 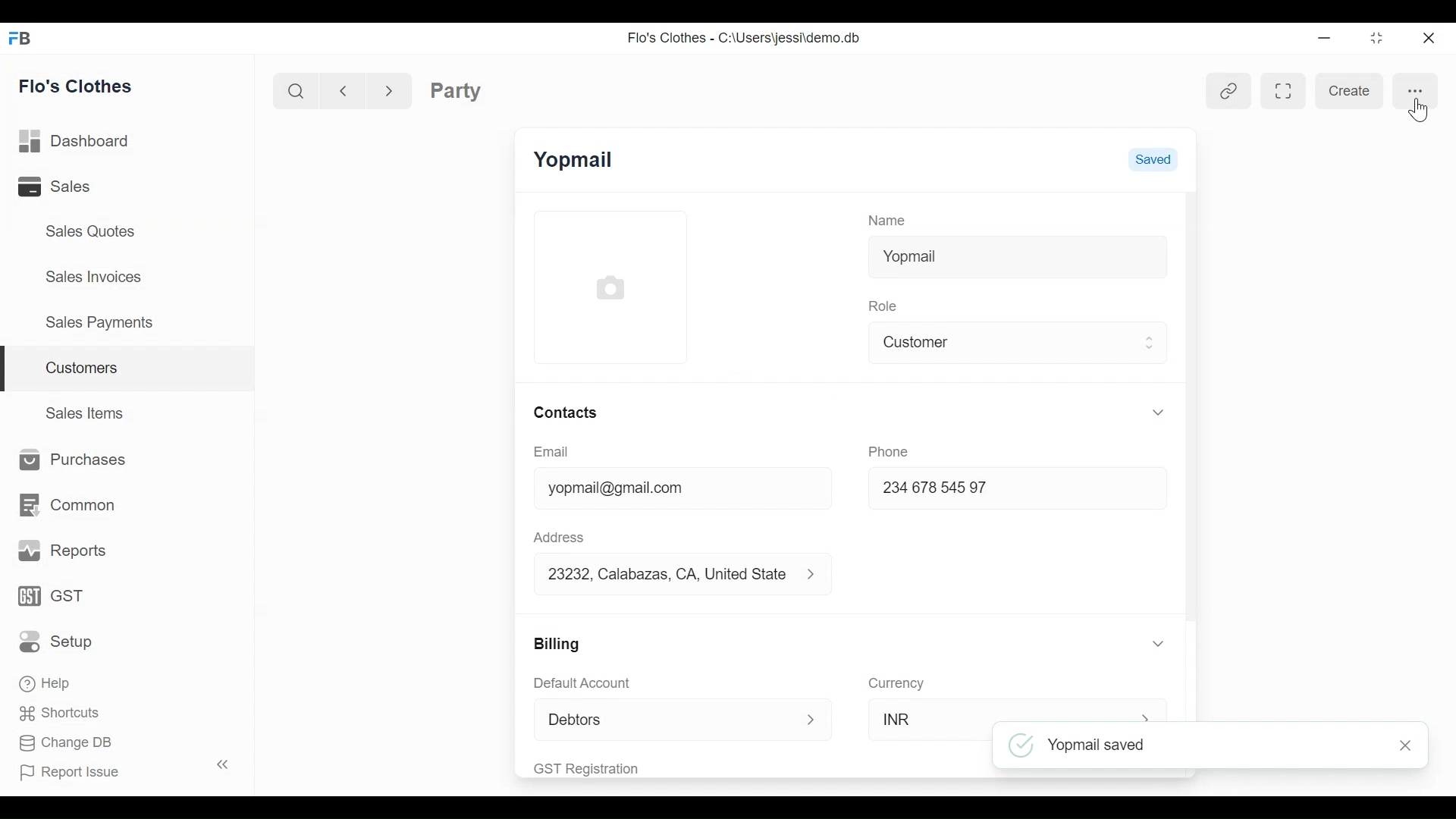 What do you see at coordinates (78, 86) in the screenshot?
I see `Flo's Clothes` at bounding box center [78, 86].